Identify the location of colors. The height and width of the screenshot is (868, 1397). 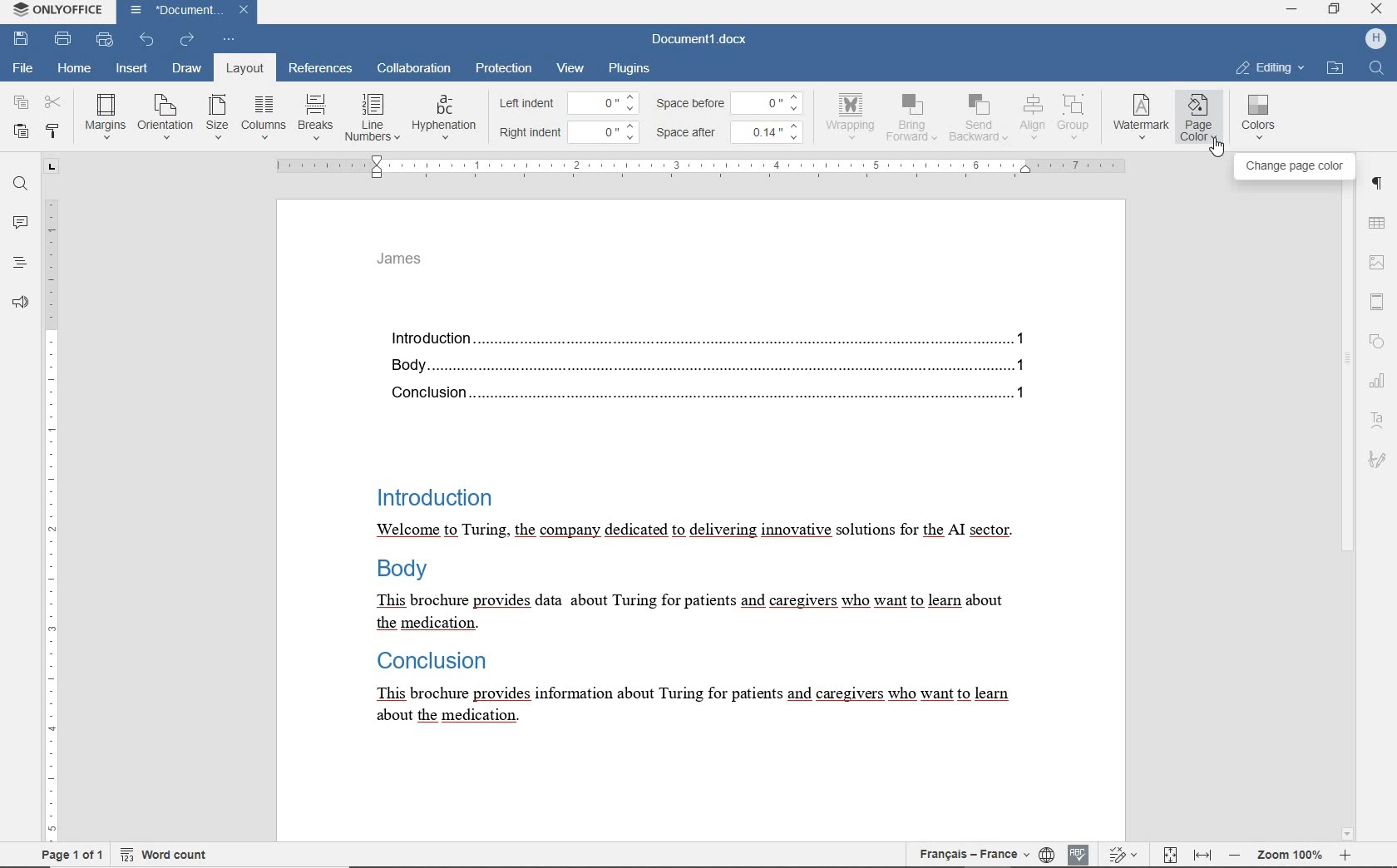
(1259, 122).